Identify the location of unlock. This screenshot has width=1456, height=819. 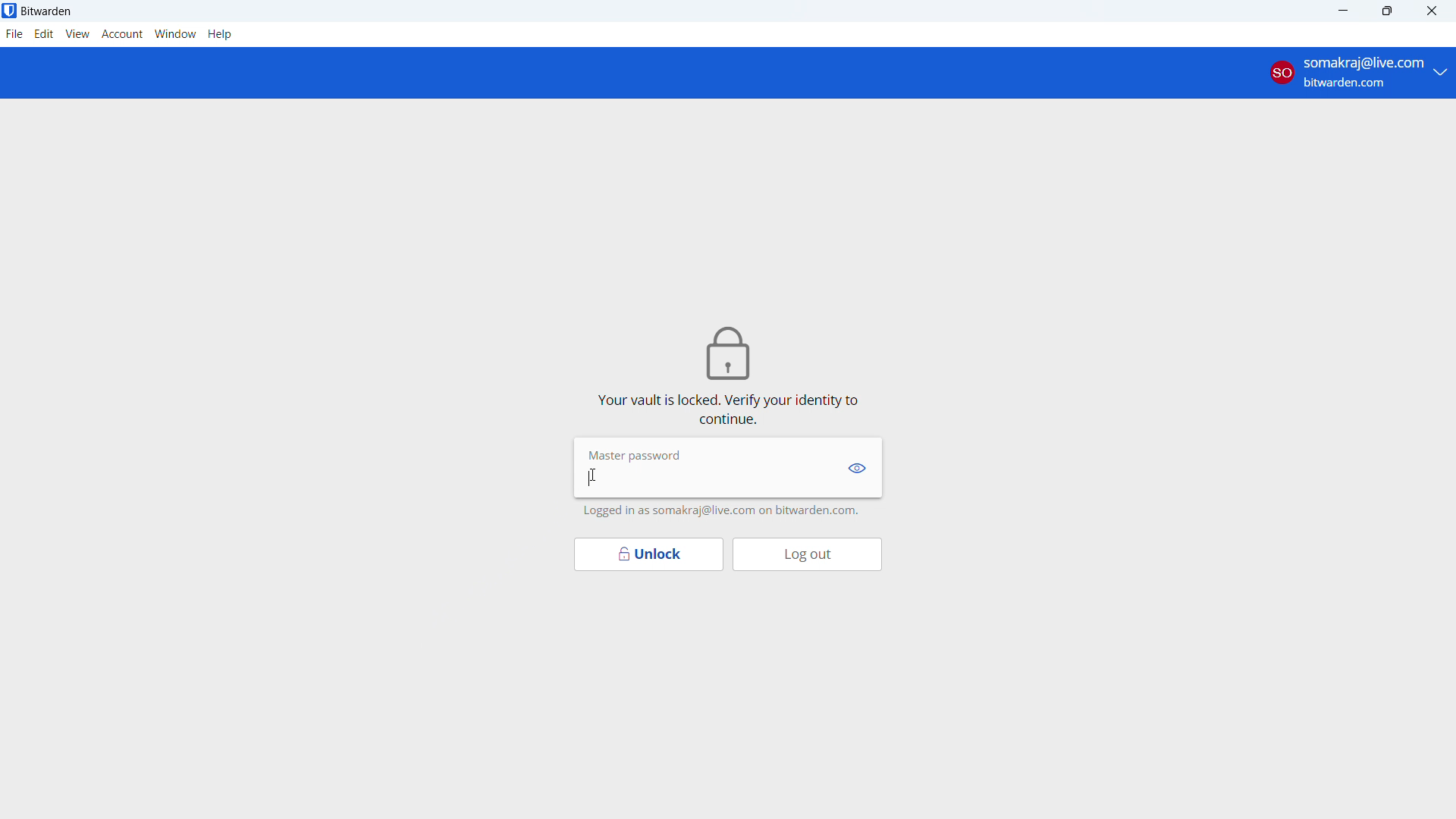
(648, 555).